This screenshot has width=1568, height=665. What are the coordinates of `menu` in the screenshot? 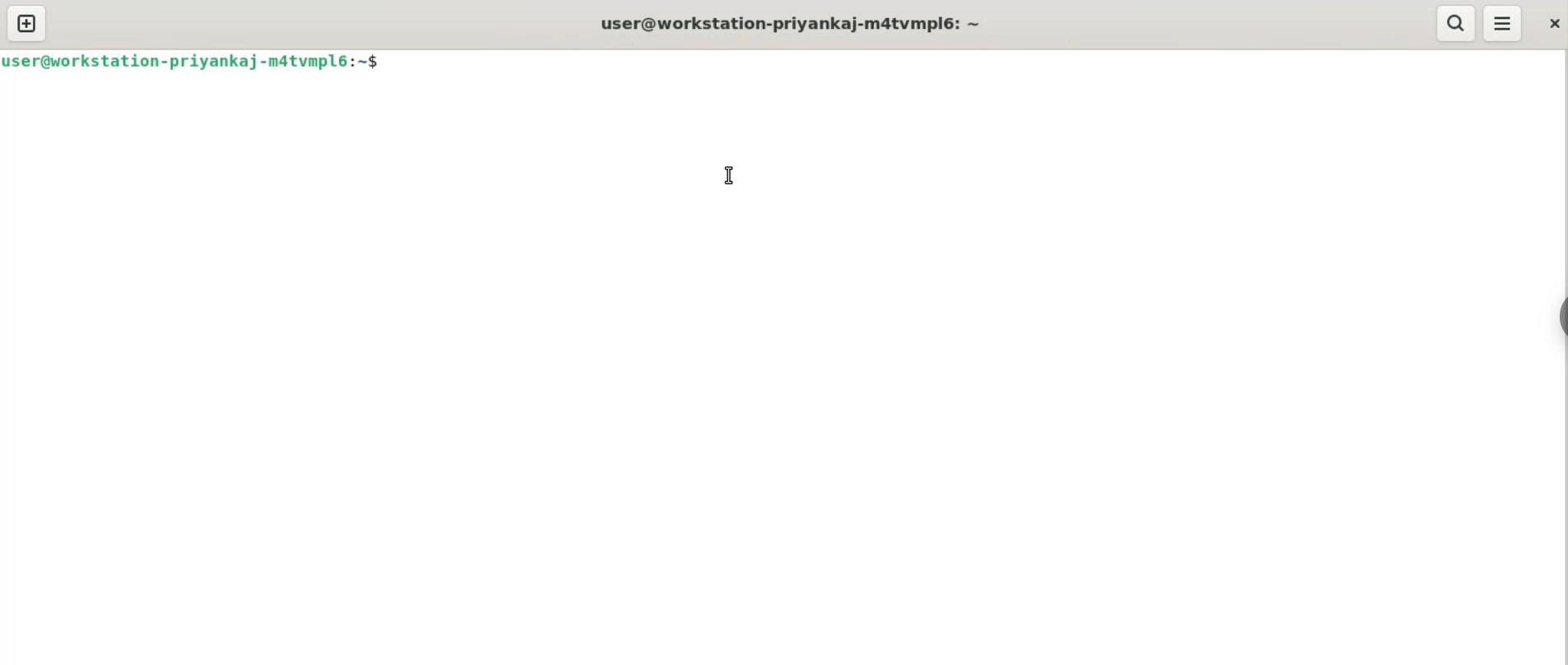 It's located at (1503, 23).